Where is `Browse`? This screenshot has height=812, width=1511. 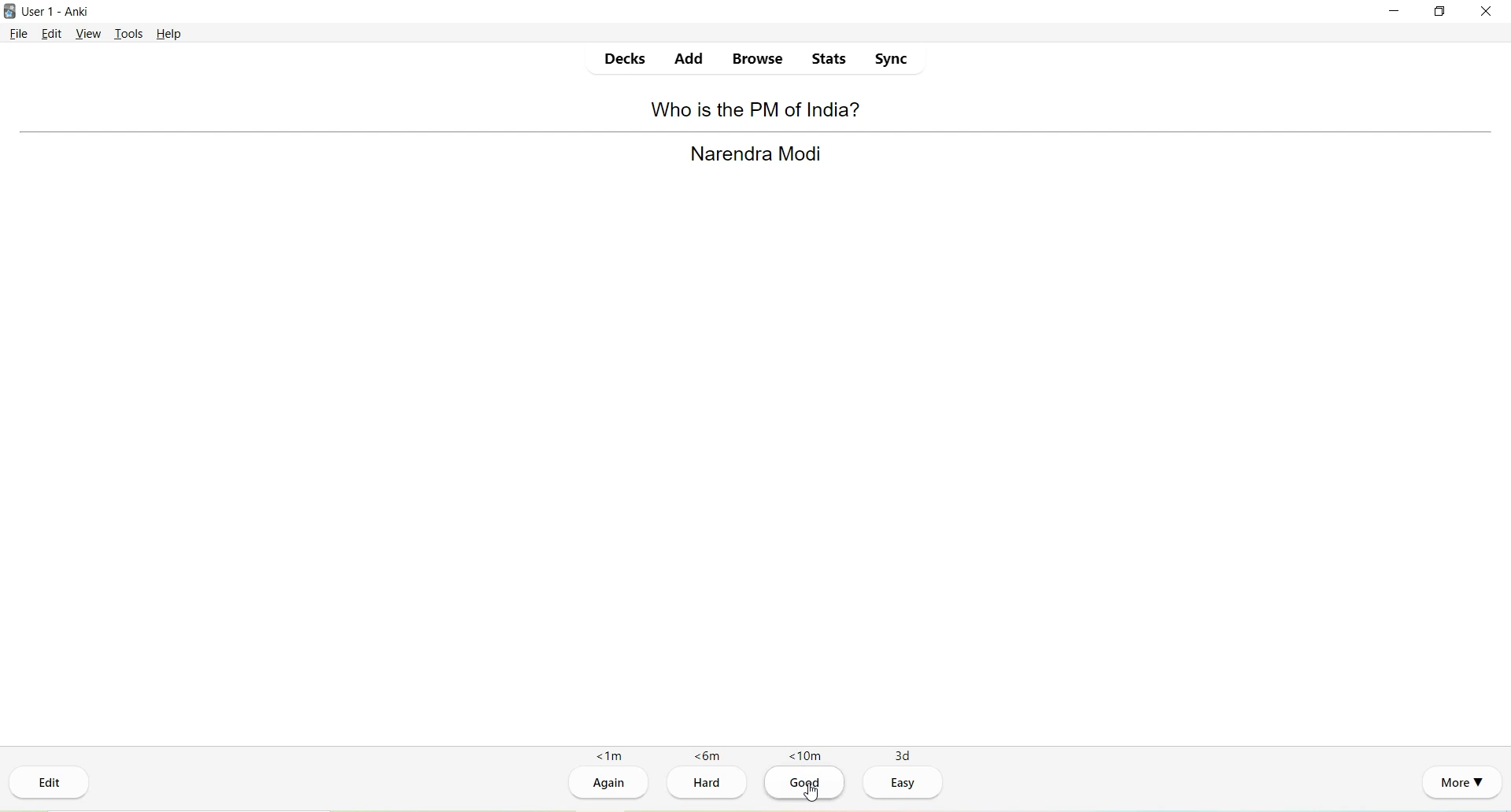 Browse is located at coordinates (759, 60).